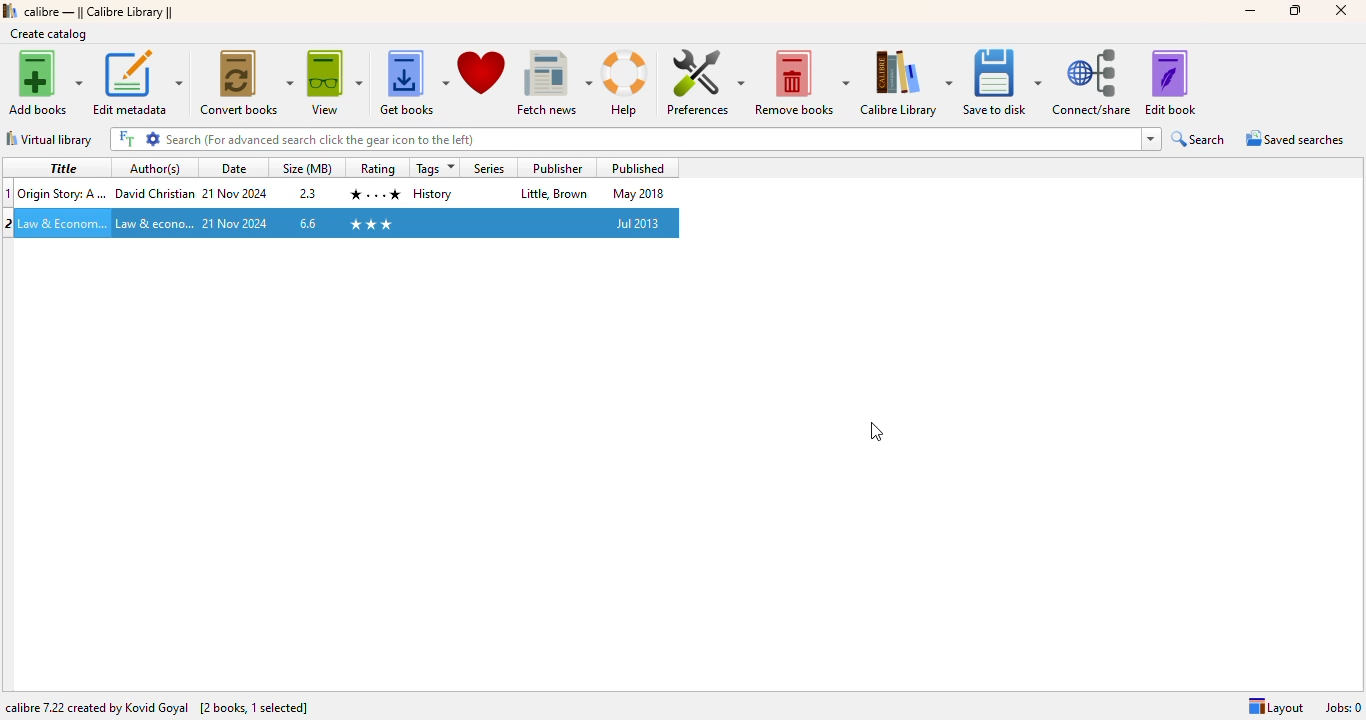 Image resolution: width=1366 pixels, height=720 pixels. Describe the element at coordinates (1277, 707) in the screenshot. I see `Layout` at that location.